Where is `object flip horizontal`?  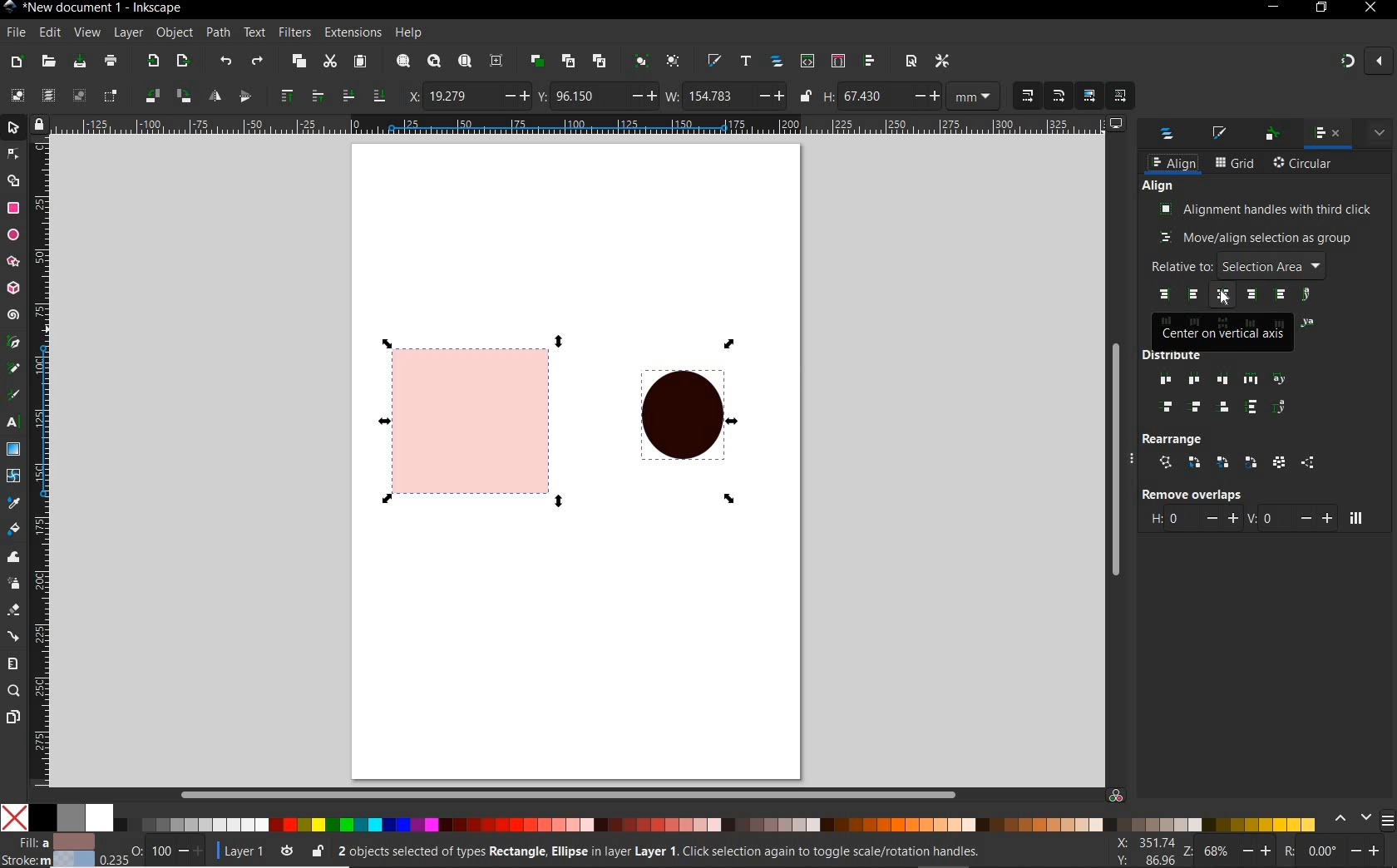 object flip horizontal is located at coordinates (215, 96).